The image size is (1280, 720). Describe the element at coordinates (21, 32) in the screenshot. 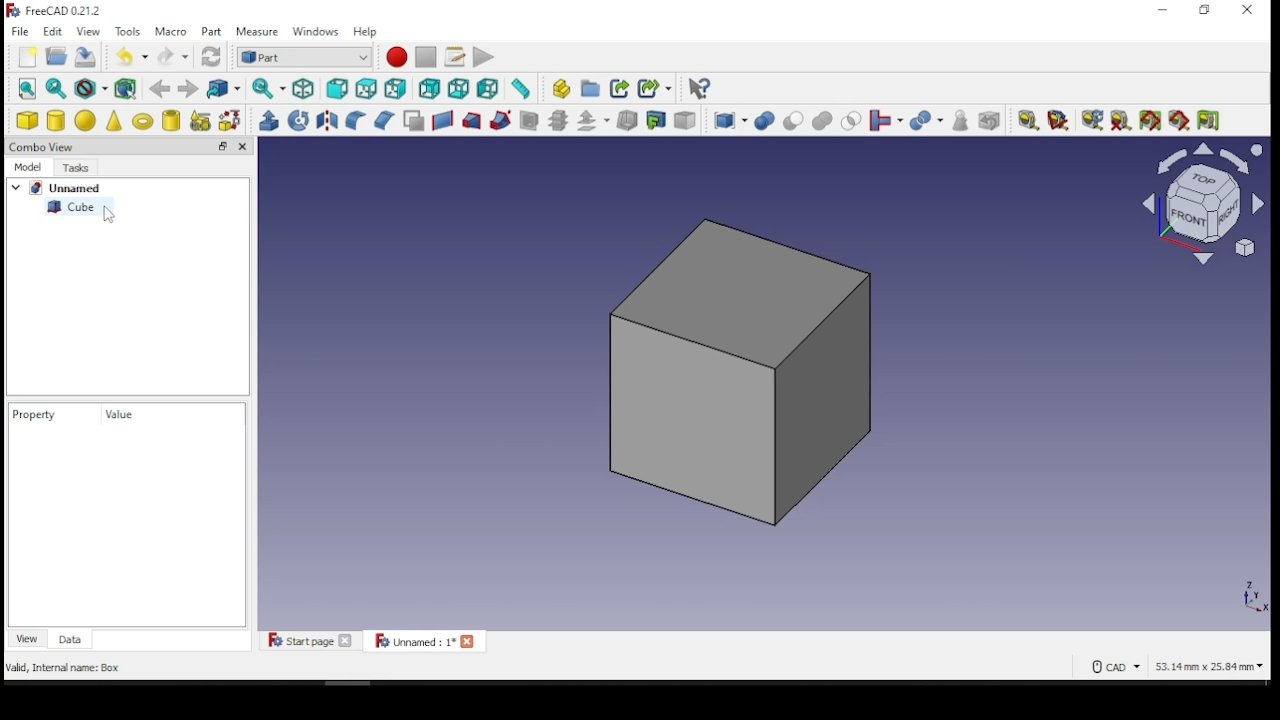

I see `file` at that location.